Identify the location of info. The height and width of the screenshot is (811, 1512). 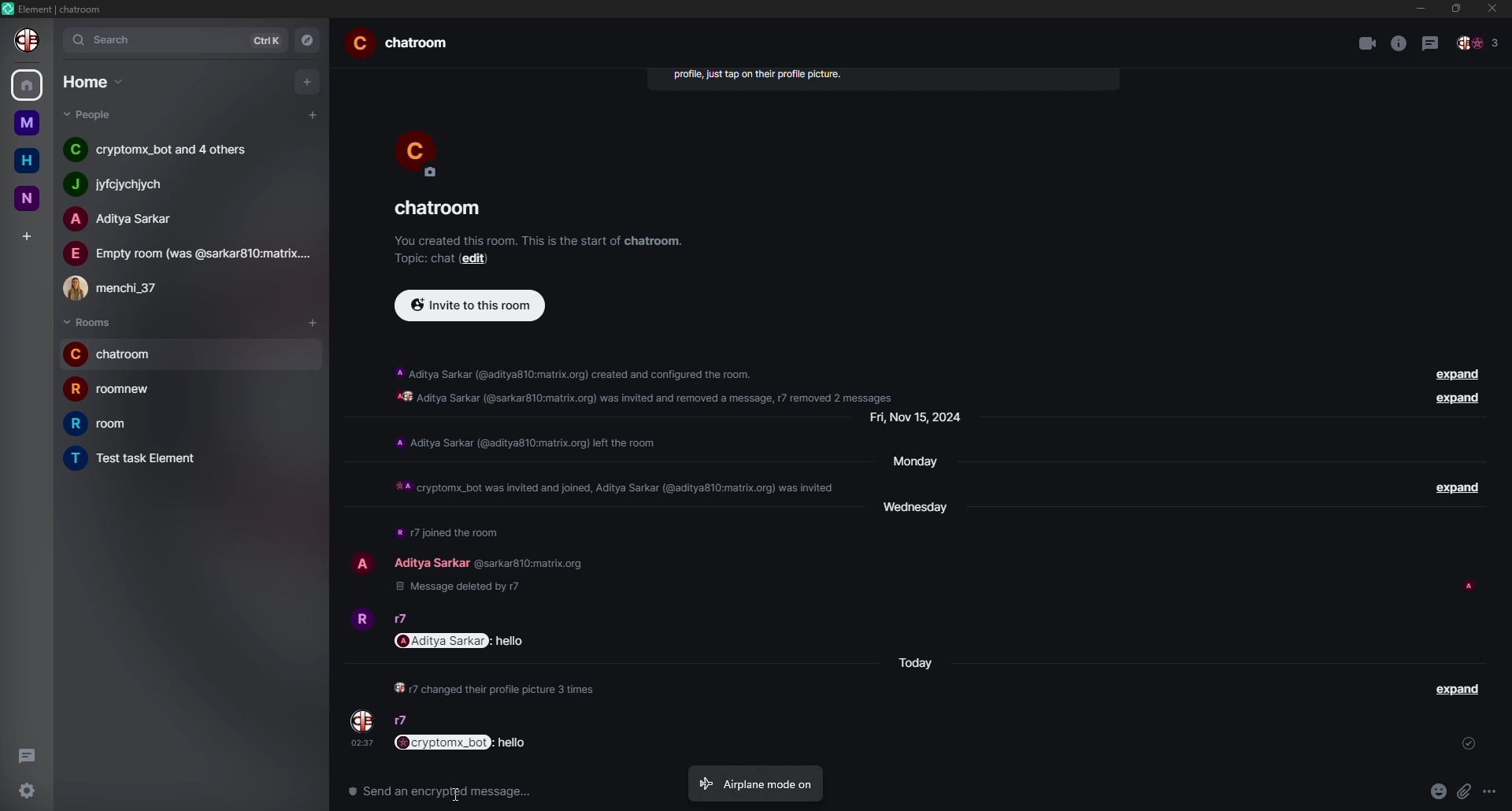
(650, 383).